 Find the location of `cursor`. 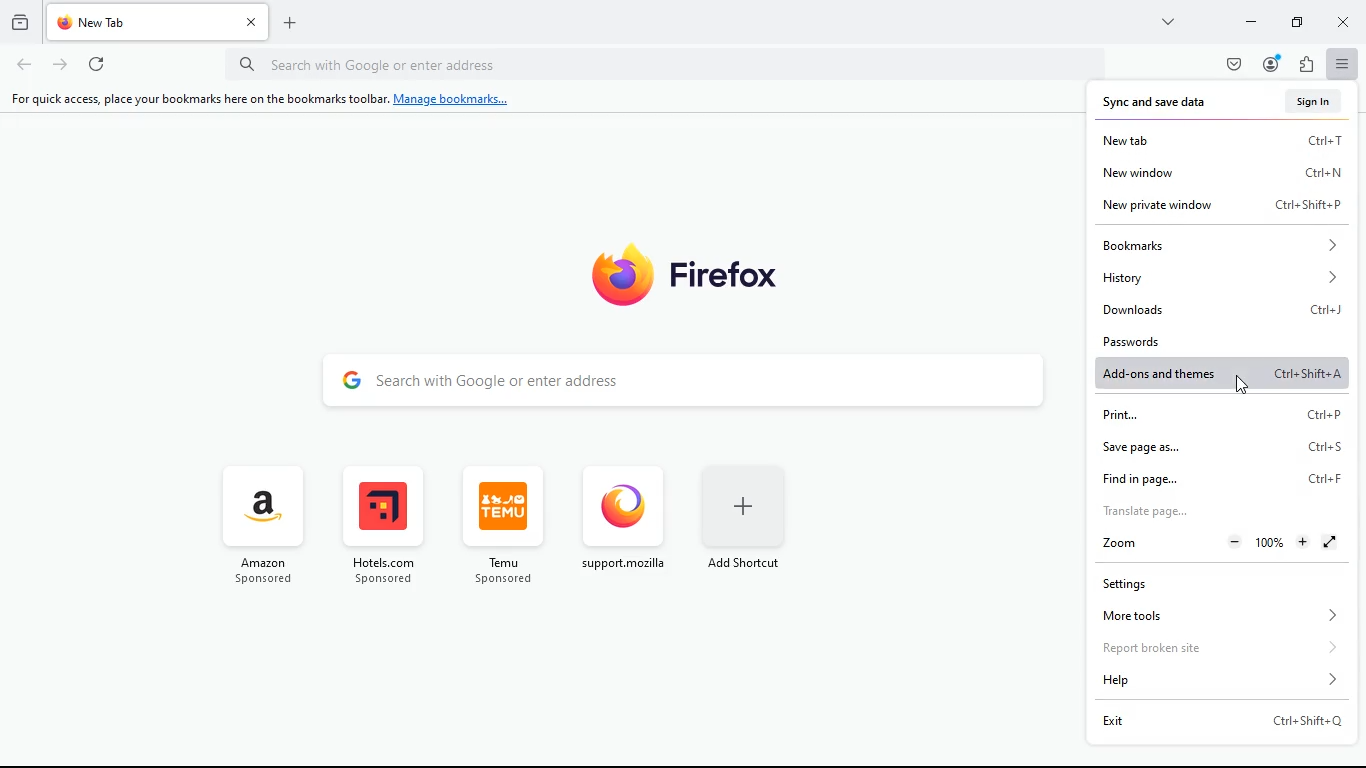

cursor is located at coordinates (1238, 377).